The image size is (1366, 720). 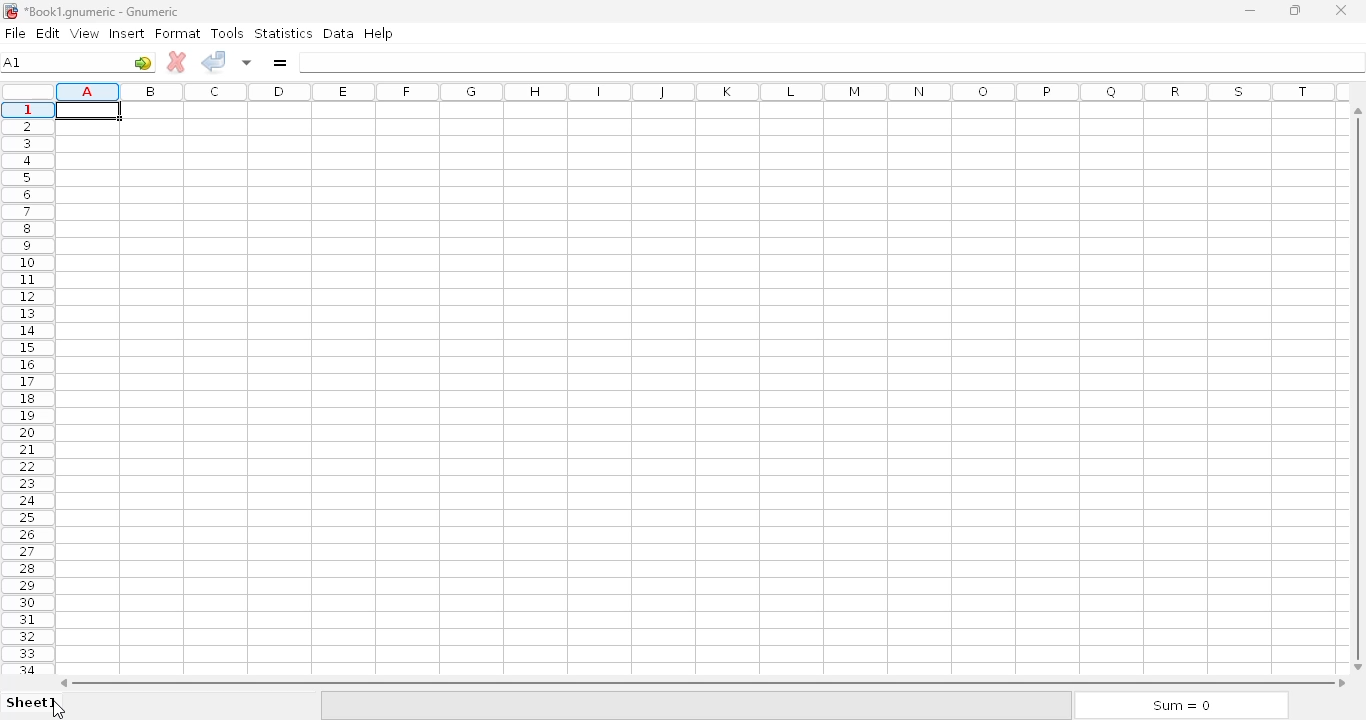 I want to click on horizontal scroll bar, so click(x=703, y=682).